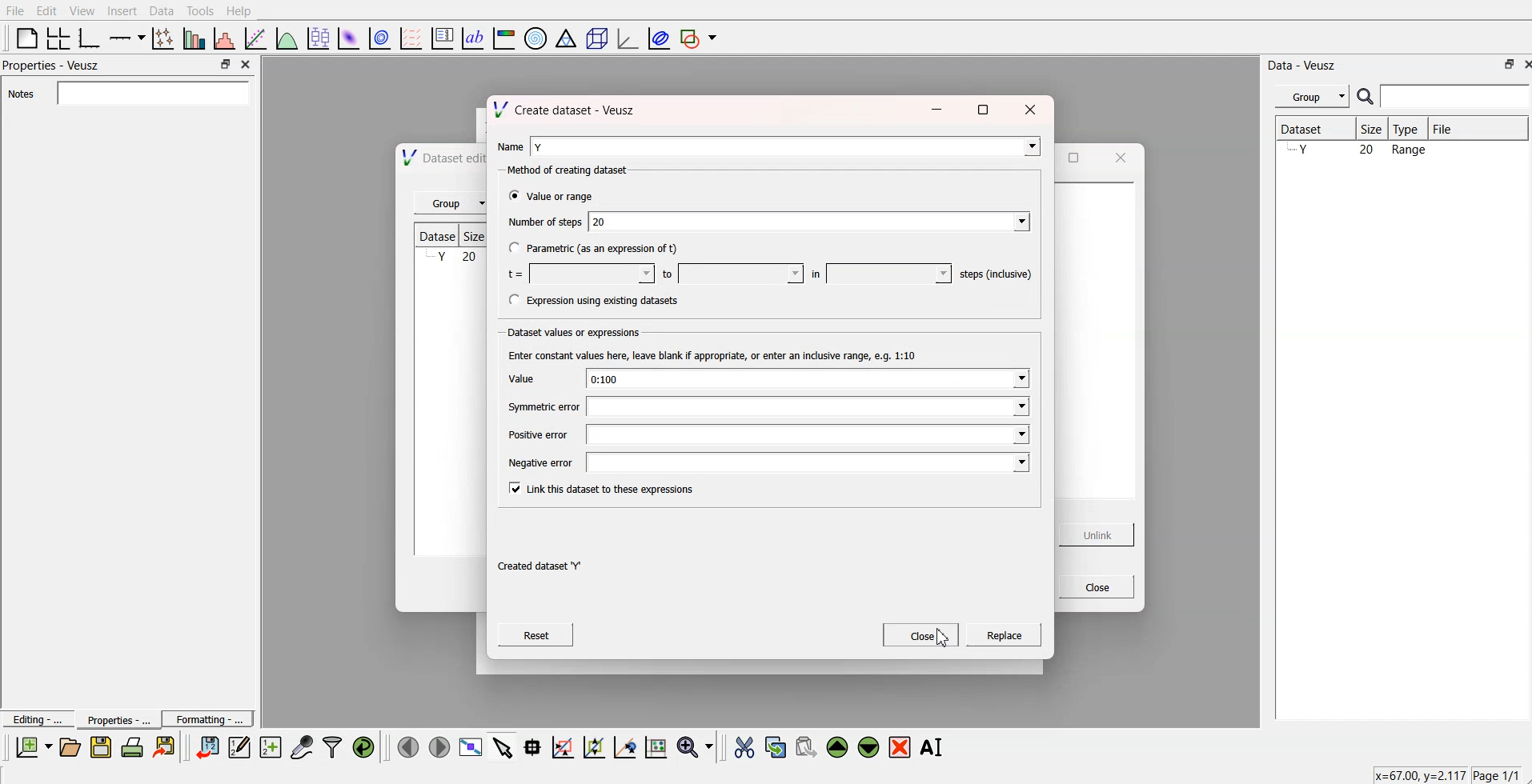 The width and height of the screenshot is (1532, 784). I want to click on Enter constant values here, leave blank if appropriate, or enter an inclusive range, e.g. 1:10, so click(708, 356).